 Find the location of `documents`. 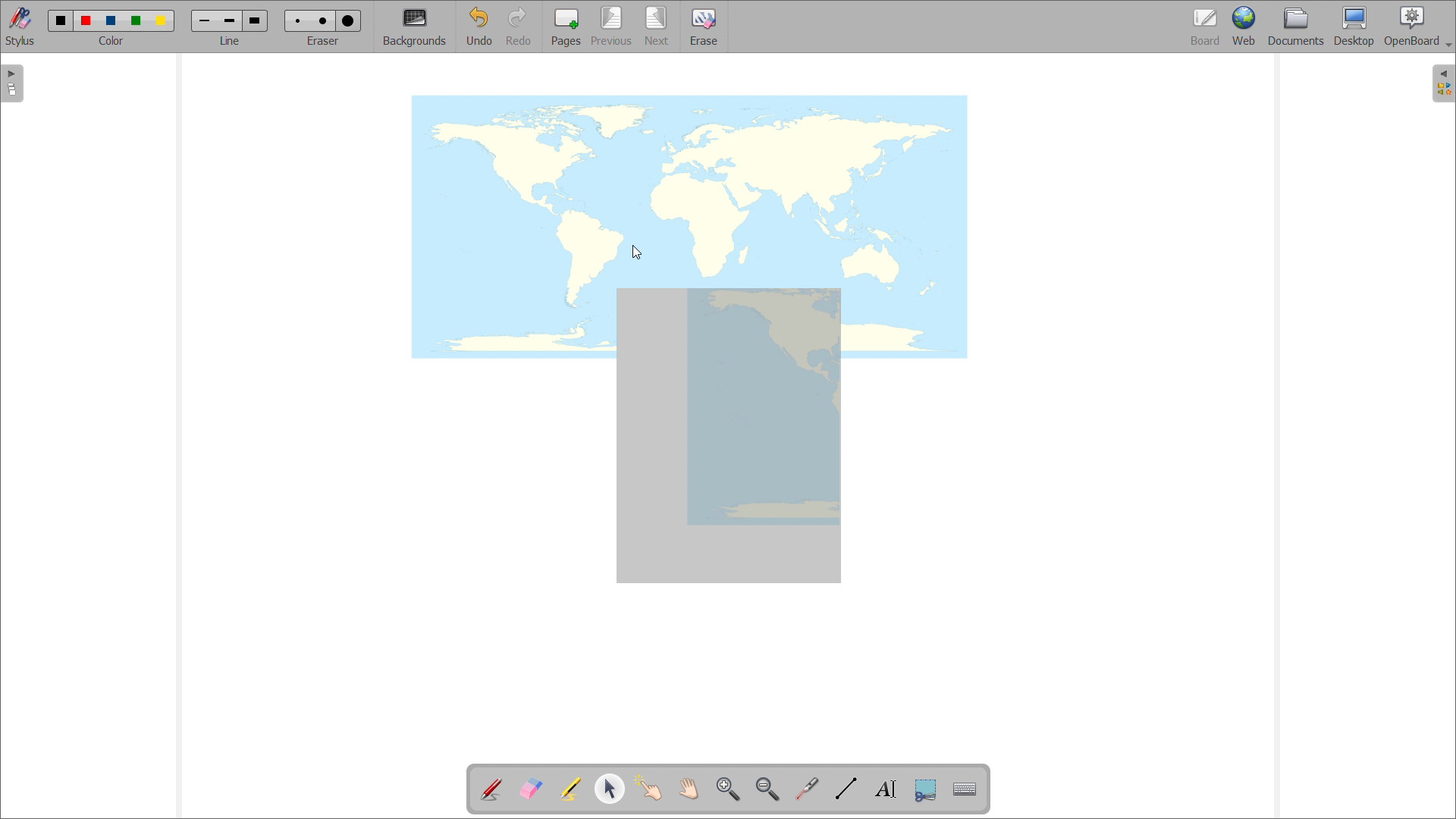

documents is located at coordinates (1297, 26).